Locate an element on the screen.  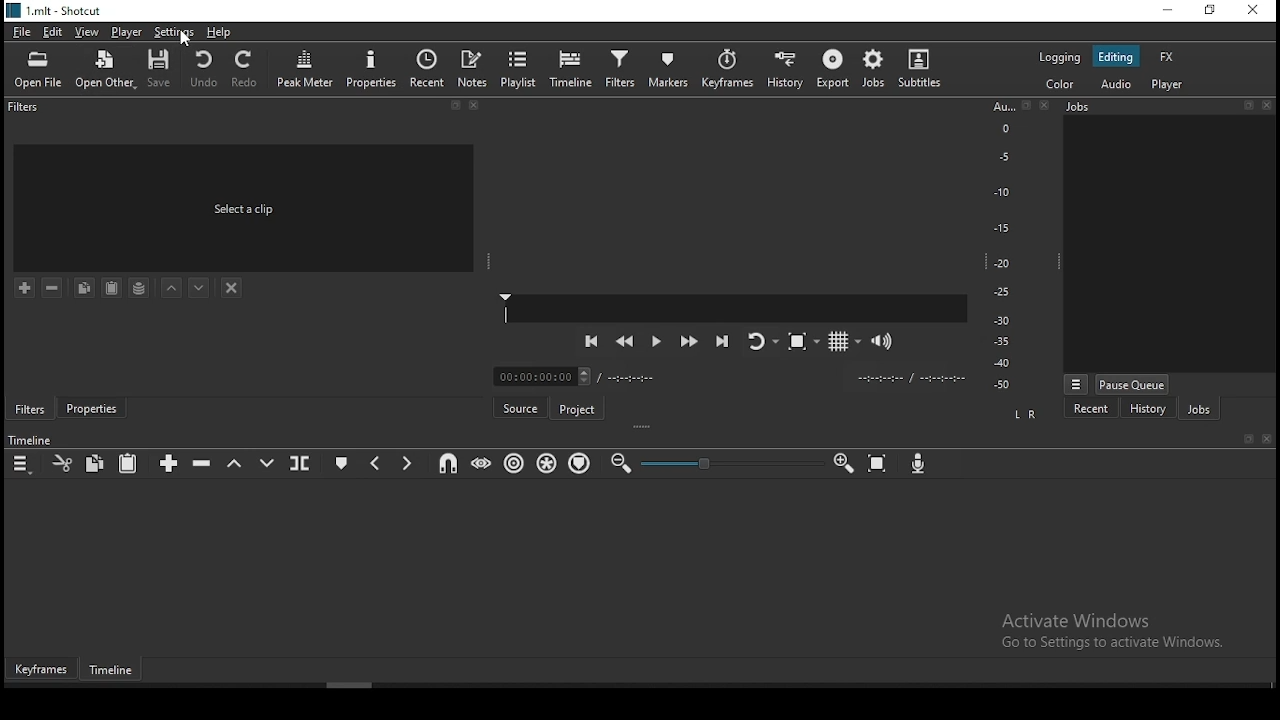
lift is located at coordinates (235, 463).